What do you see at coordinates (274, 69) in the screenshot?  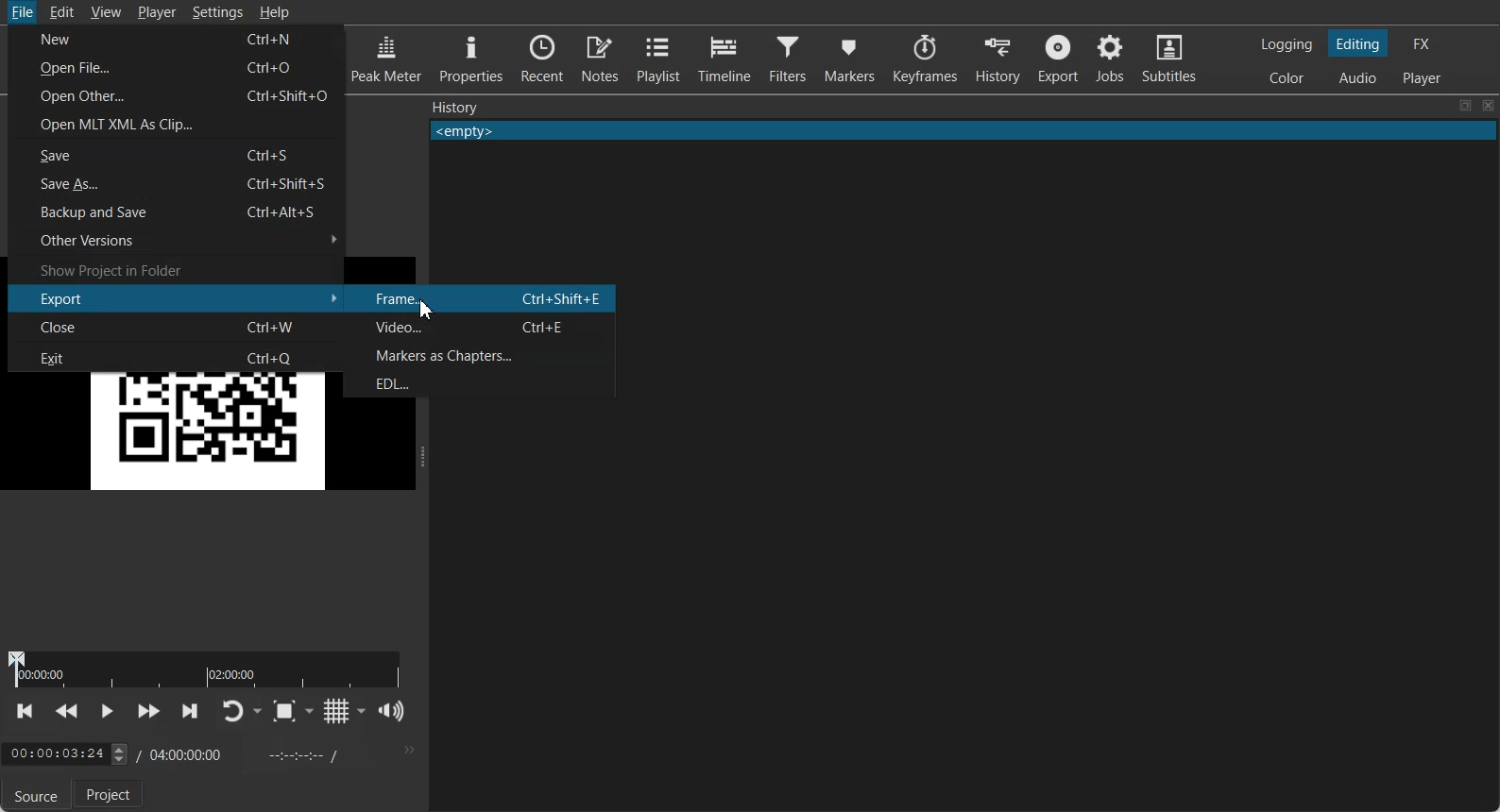 I see `Ctrl+0` at bounding box center [274, 69].